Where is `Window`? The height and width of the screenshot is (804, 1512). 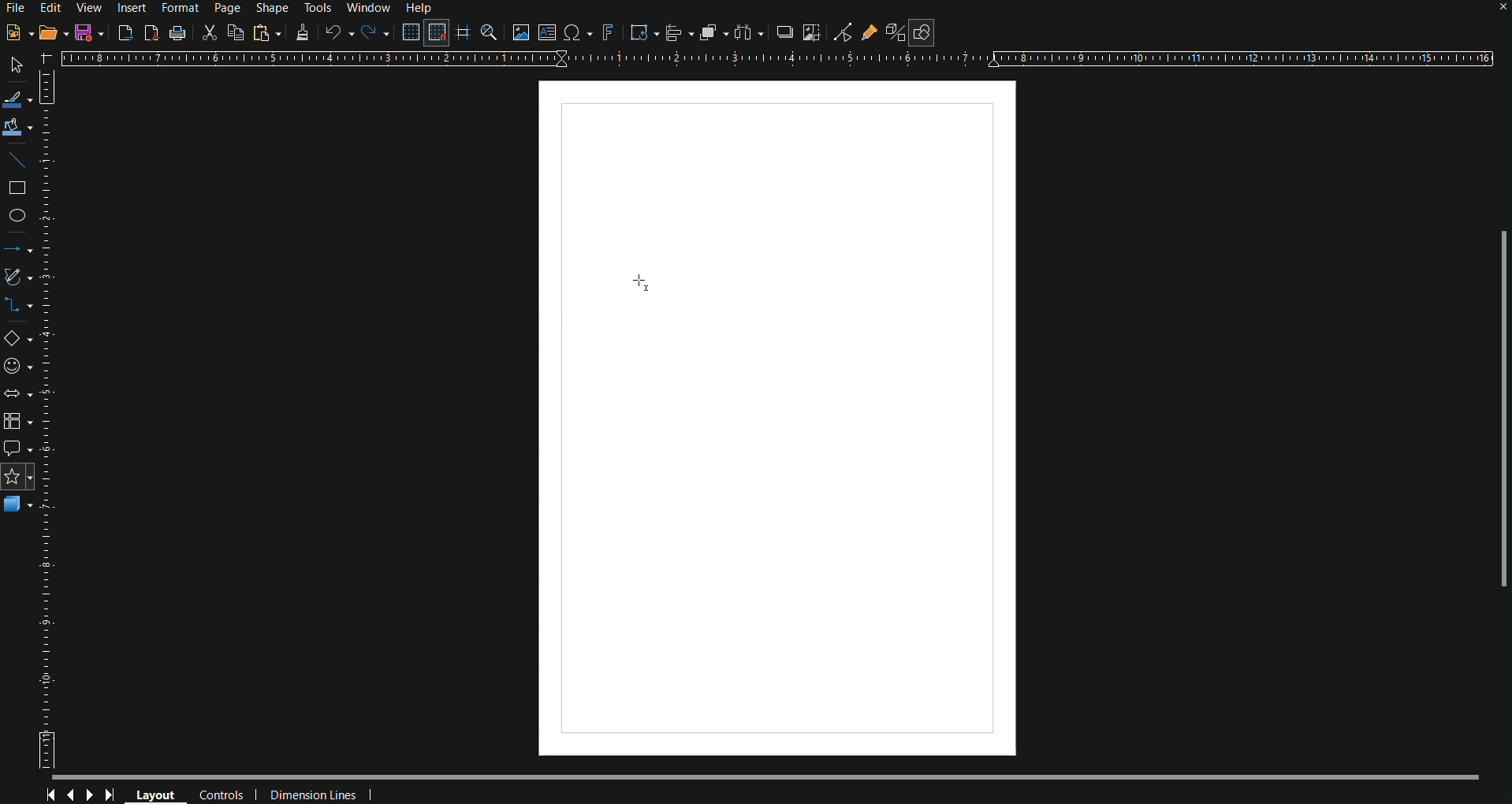
Window is located at coordinates (370, 7).